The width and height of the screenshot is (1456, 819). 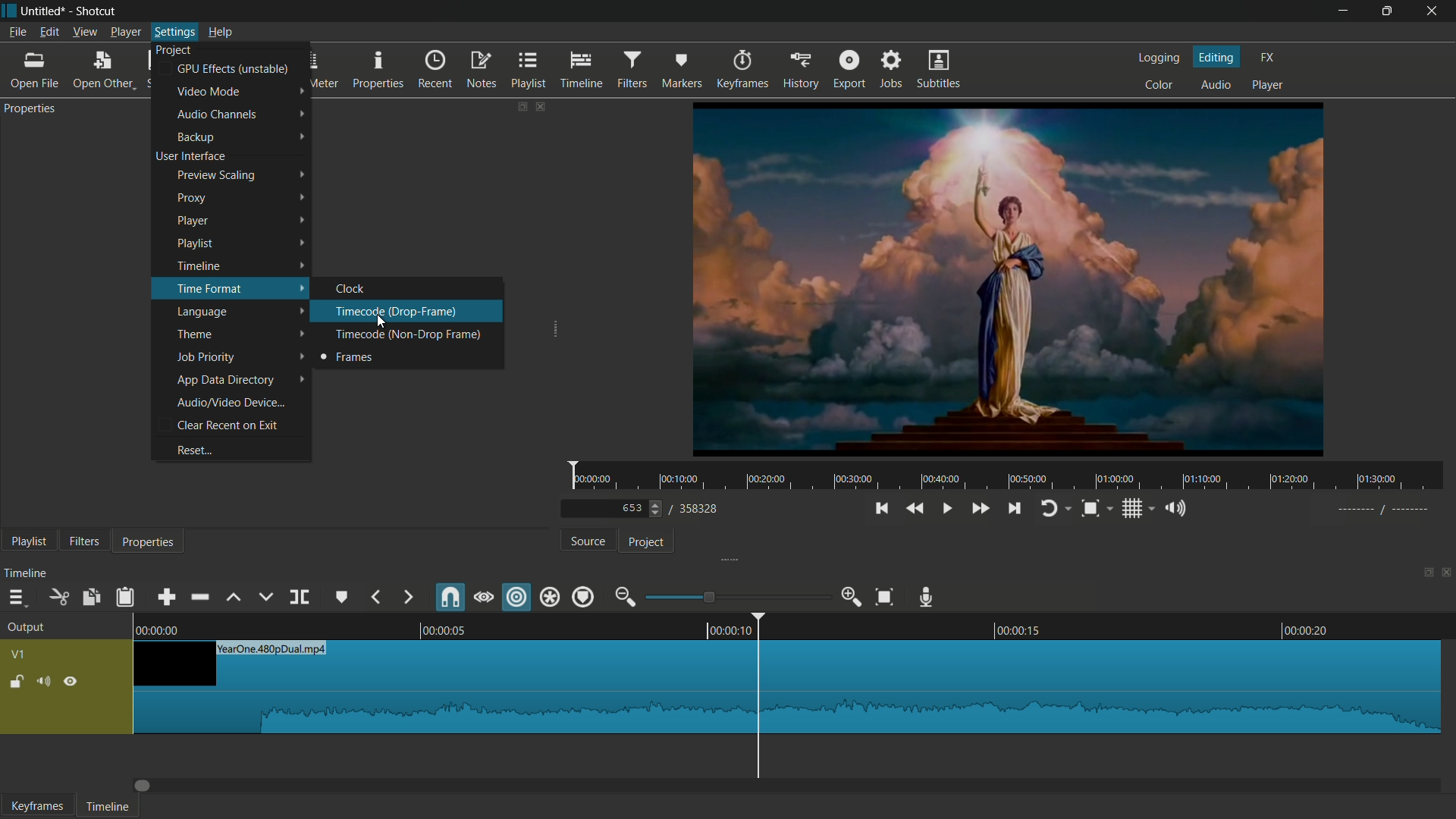 I want to click on total frames, so click(x=699, y=508).